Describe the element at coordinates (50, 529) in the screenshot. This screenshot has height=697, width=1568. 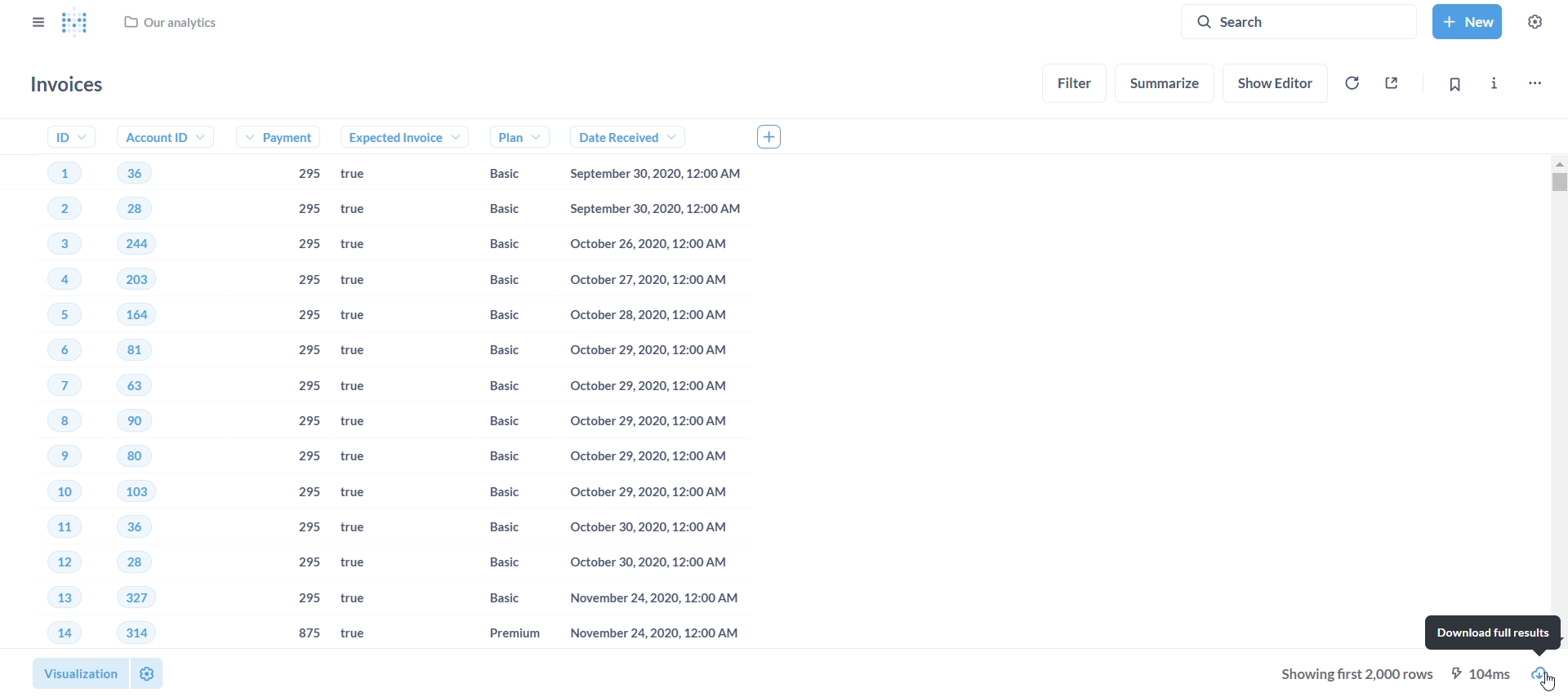
I see `11` at that location.